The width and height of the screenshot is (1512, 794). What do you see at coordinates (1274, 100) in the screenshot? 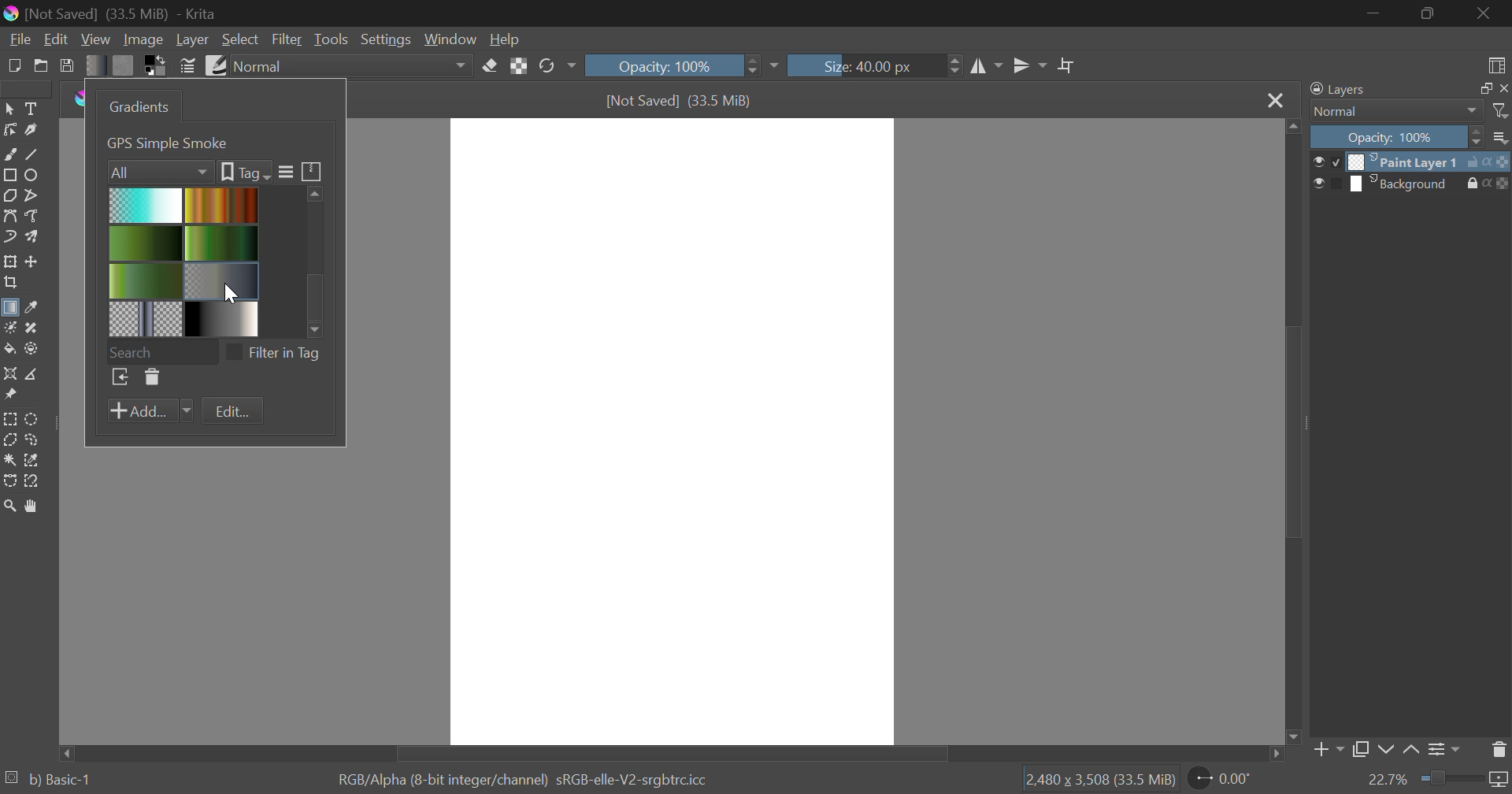
I see `Close` at bounding box center [1274, 100].